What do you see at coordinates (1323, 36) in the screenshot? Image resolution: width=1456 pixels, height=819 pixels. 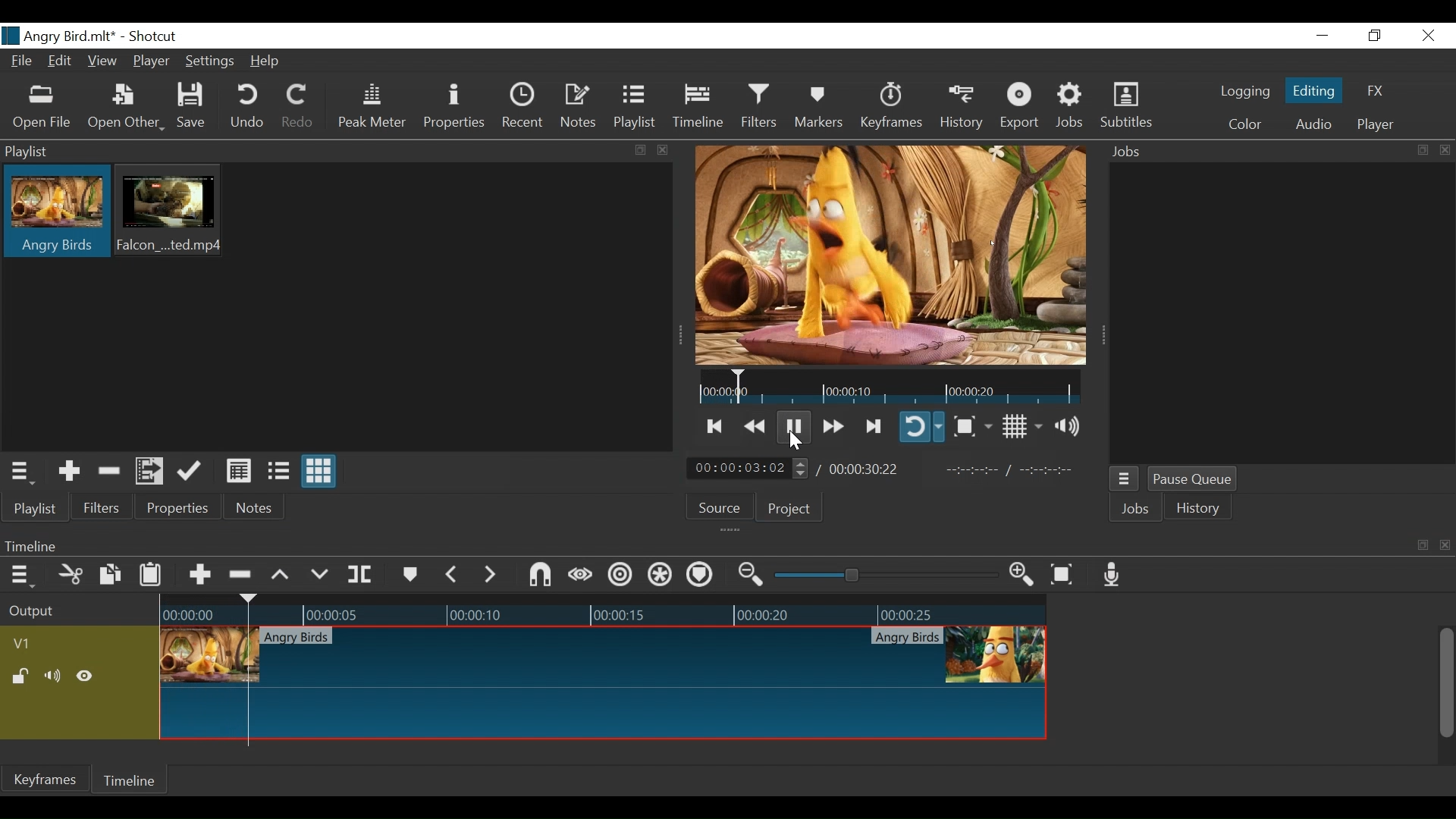 I see `Minimize` at bounding box center [1323, 36].